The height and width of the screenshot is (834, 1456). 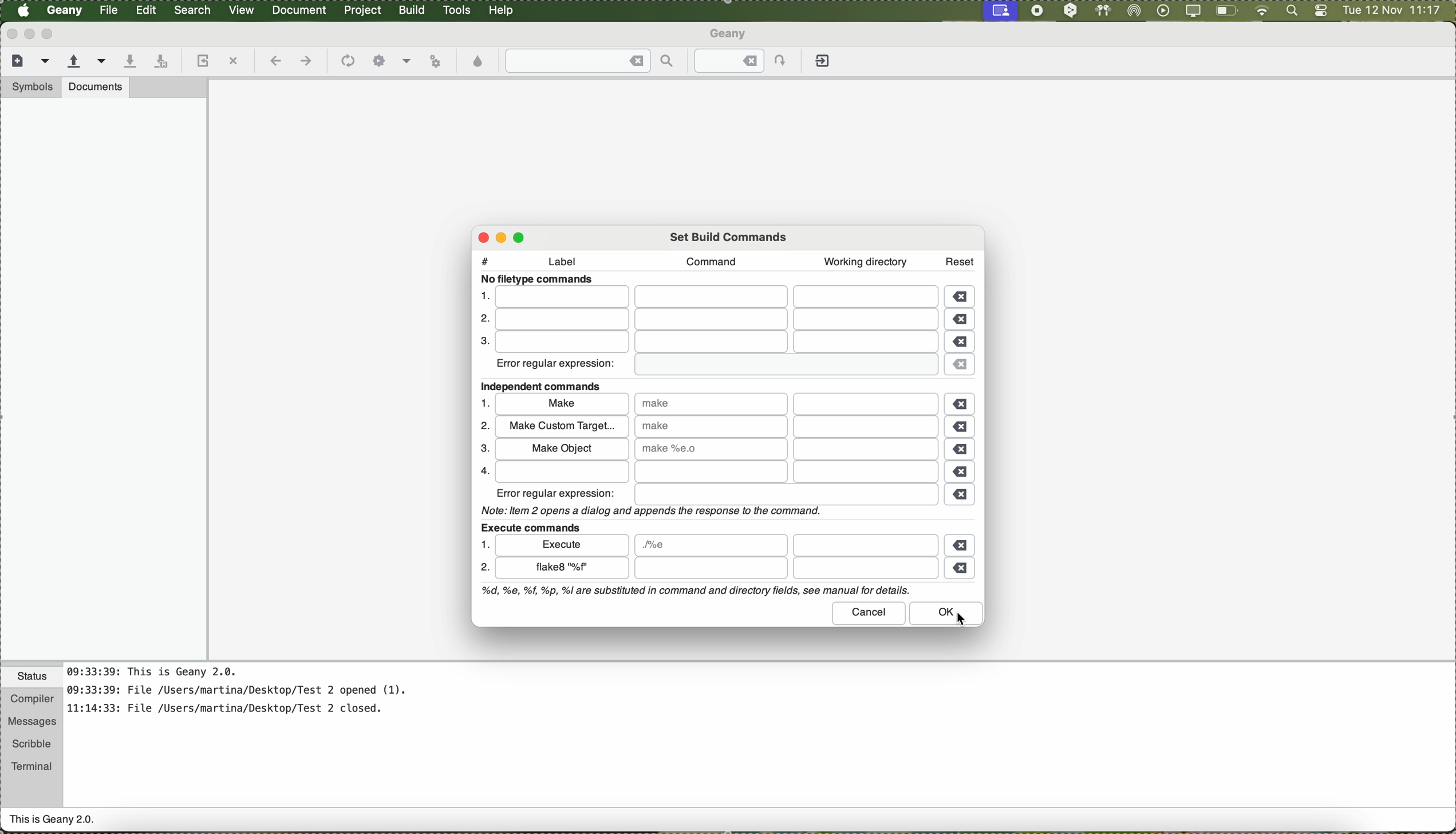 What do you see at coordinates (482, 449) in the screenshot?
I see `3` at bounding box center [482, 449].